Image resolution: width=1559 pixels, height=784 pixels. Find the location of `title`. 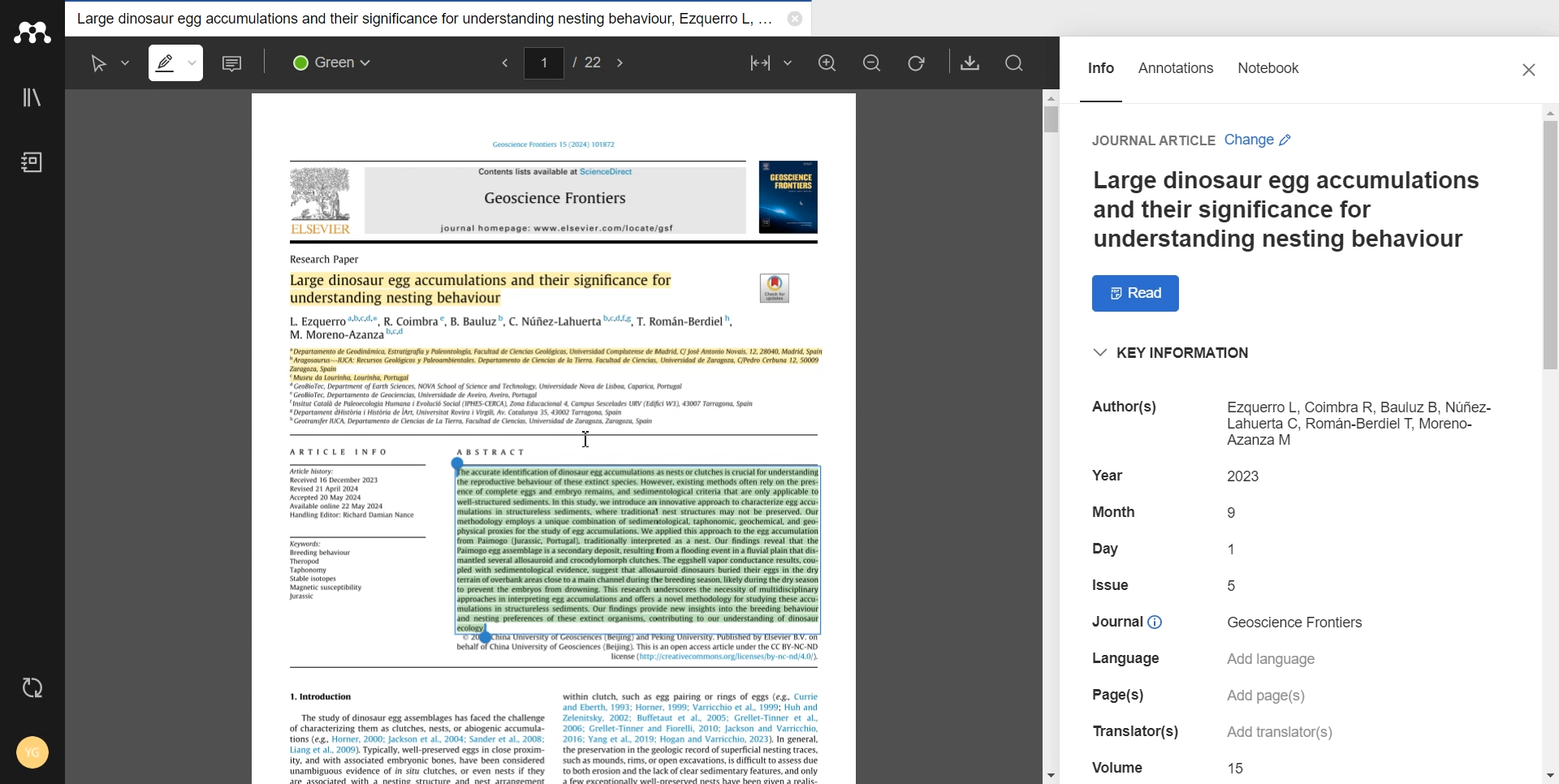

title is located at coordinates (555, 200).